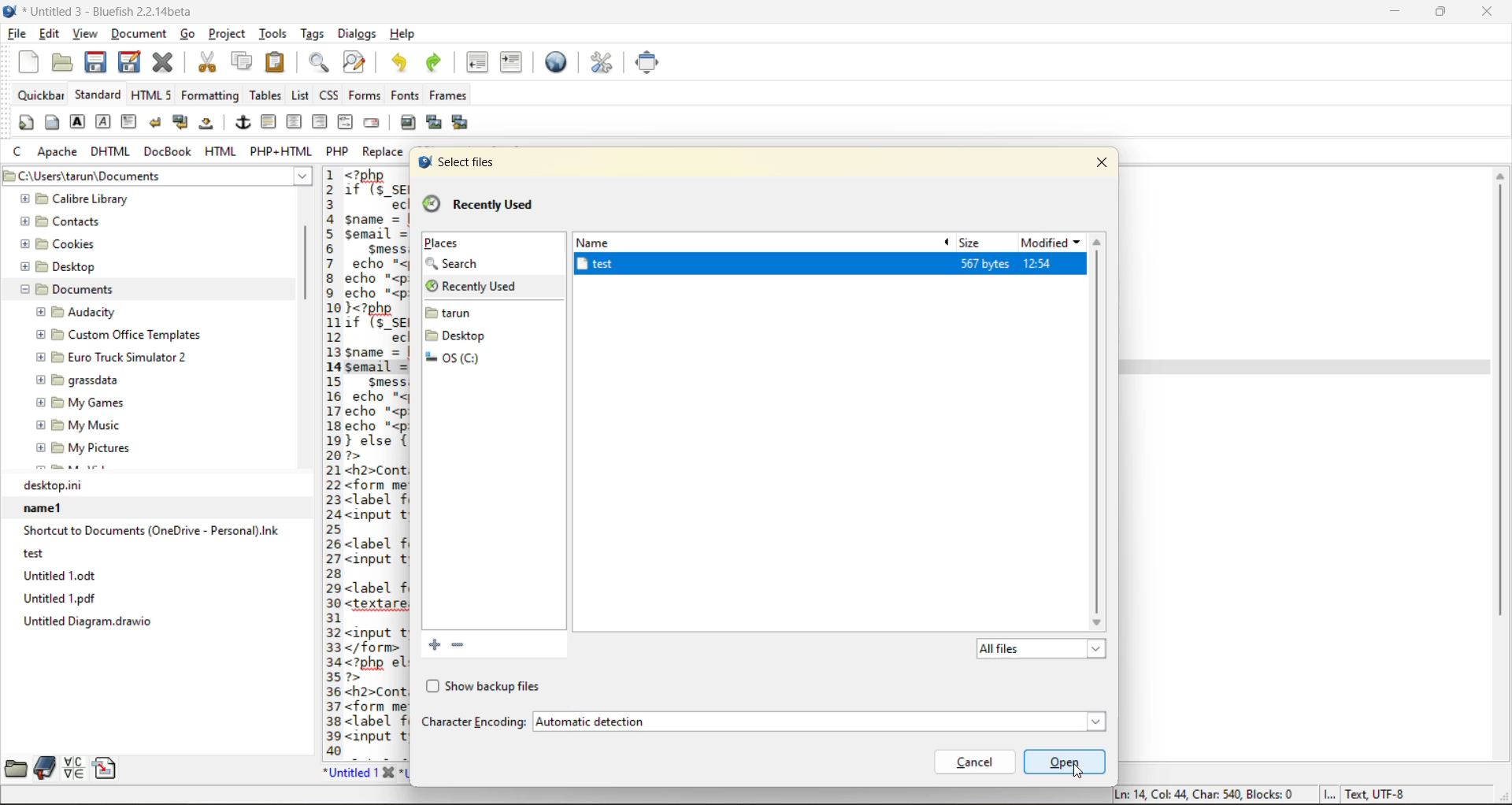  What do you see at coordinates (130, 121) in the screenshot?
I see `paragraph` at bounding box center [130, 121].